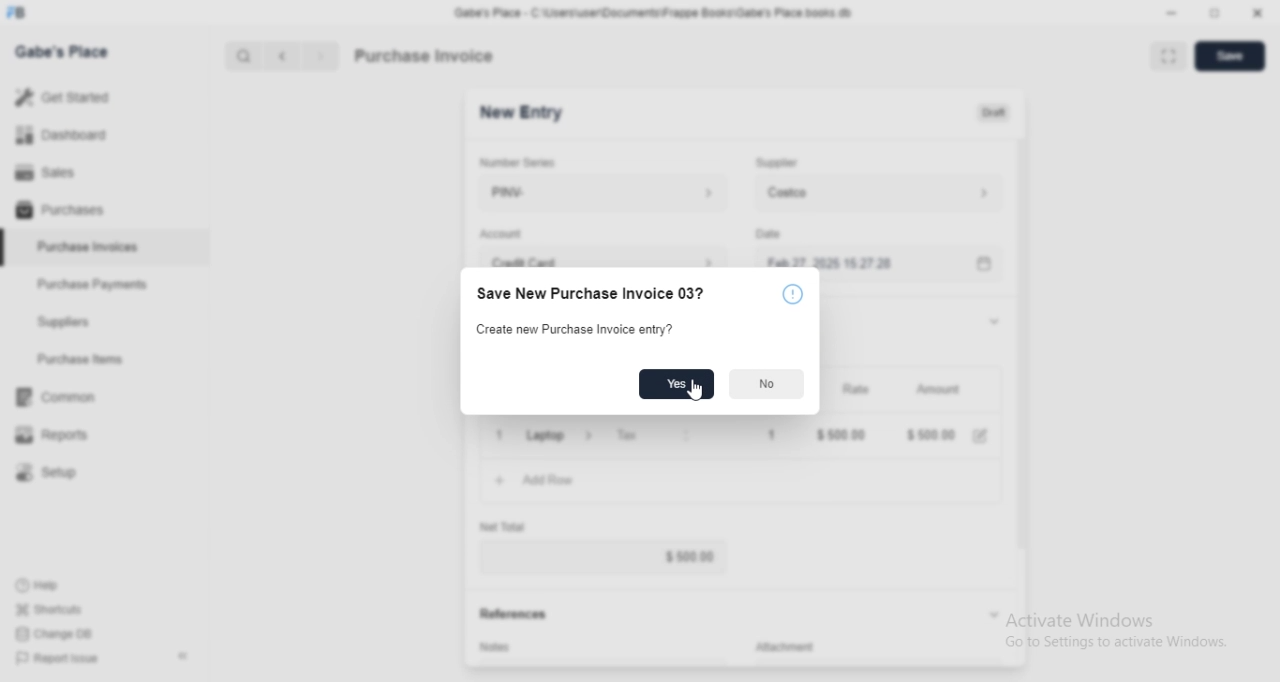 This screenshot has height=682, width=1280. What do you see at coordinates (501, 234) in the screenshot?
I see `Account` at bounding box center [501, 234].